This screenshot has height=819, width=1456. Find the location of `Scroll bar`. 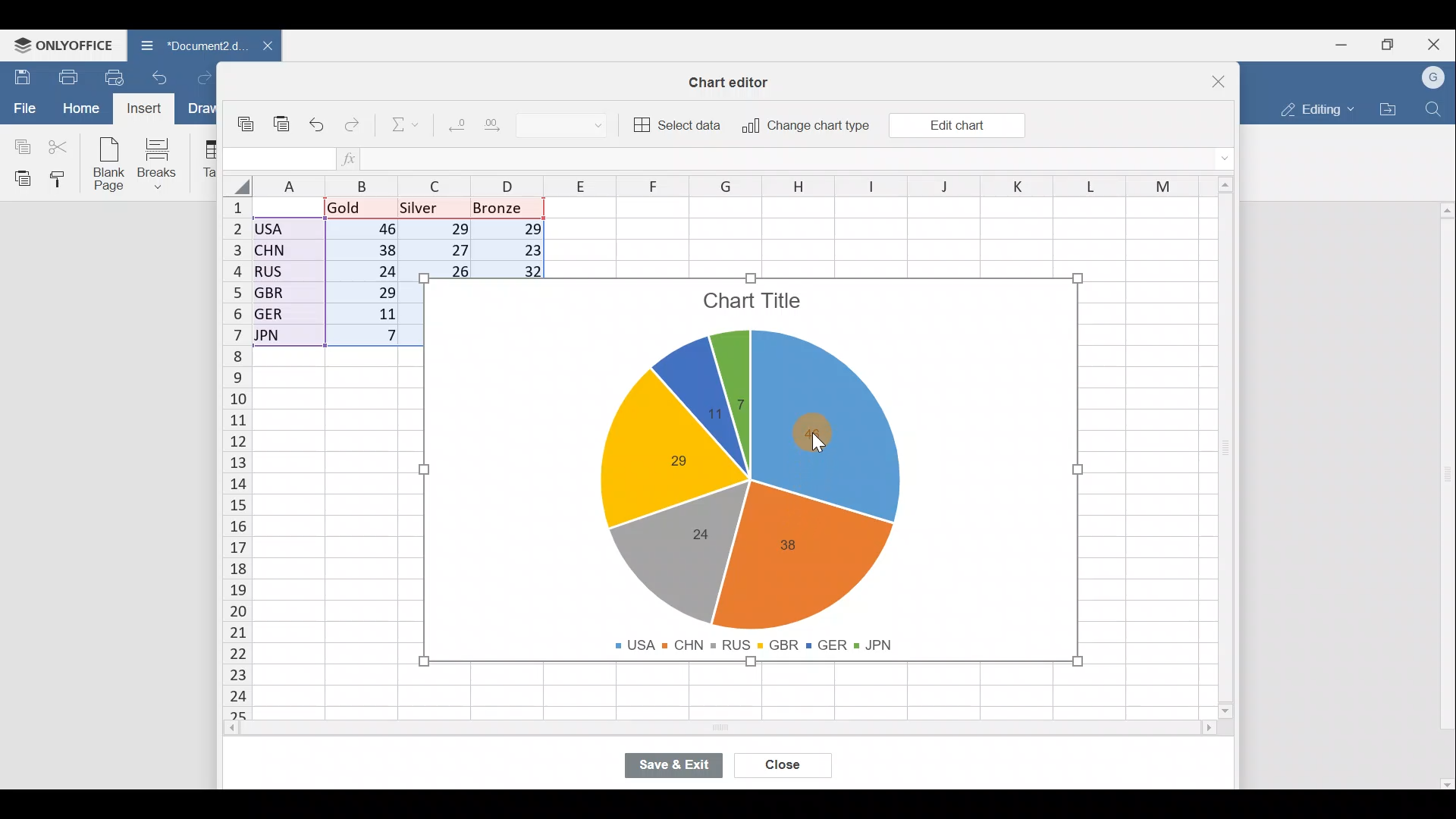

Scroll bar is located at coordinates (1442, 490).